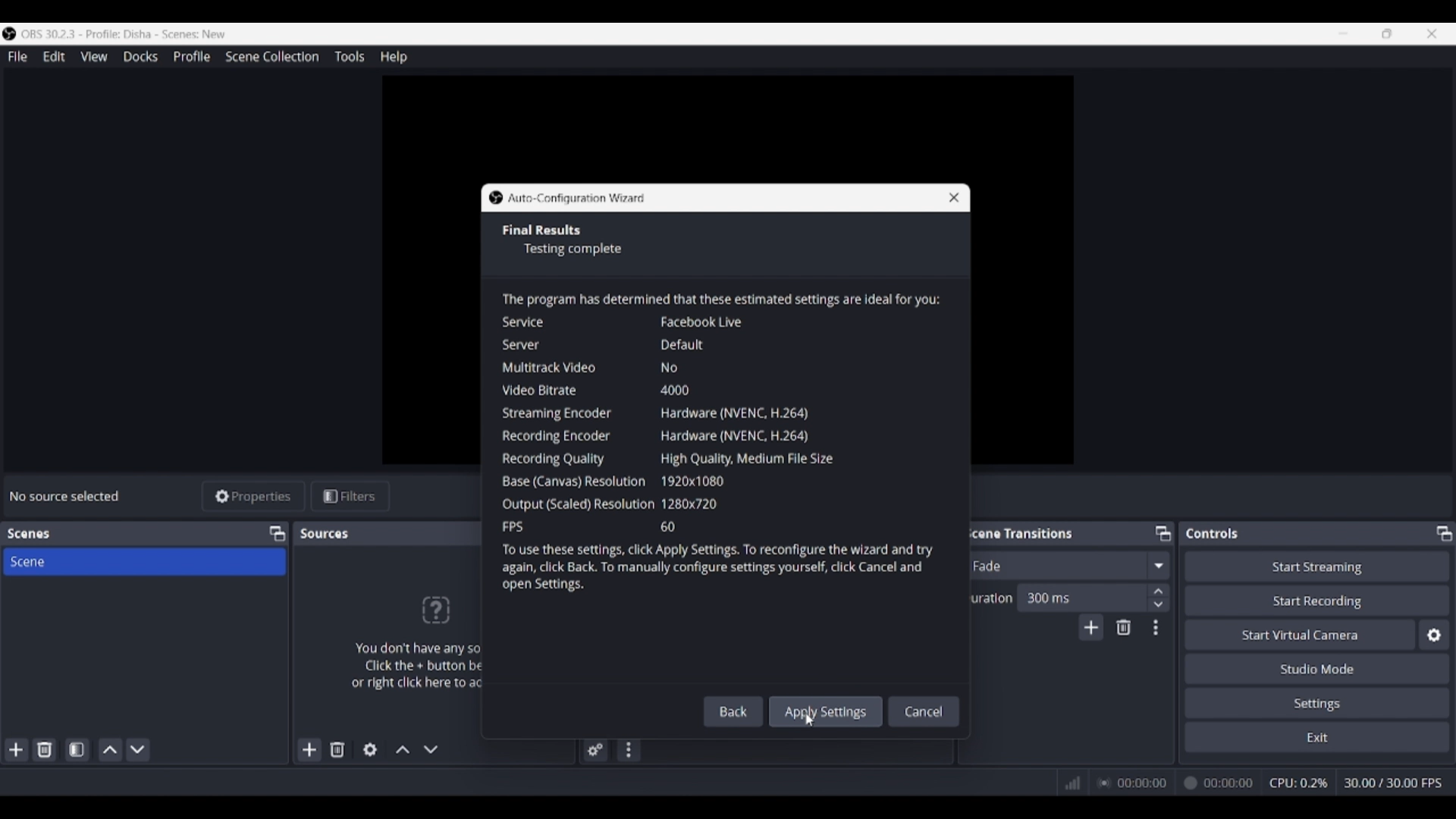 Image resolution: width=1456 pixels, height=819 pixels. What do you see at coordinates (1158, 565) in the screenshot?
I see `Fade options` at bounding box center [1158, 565].